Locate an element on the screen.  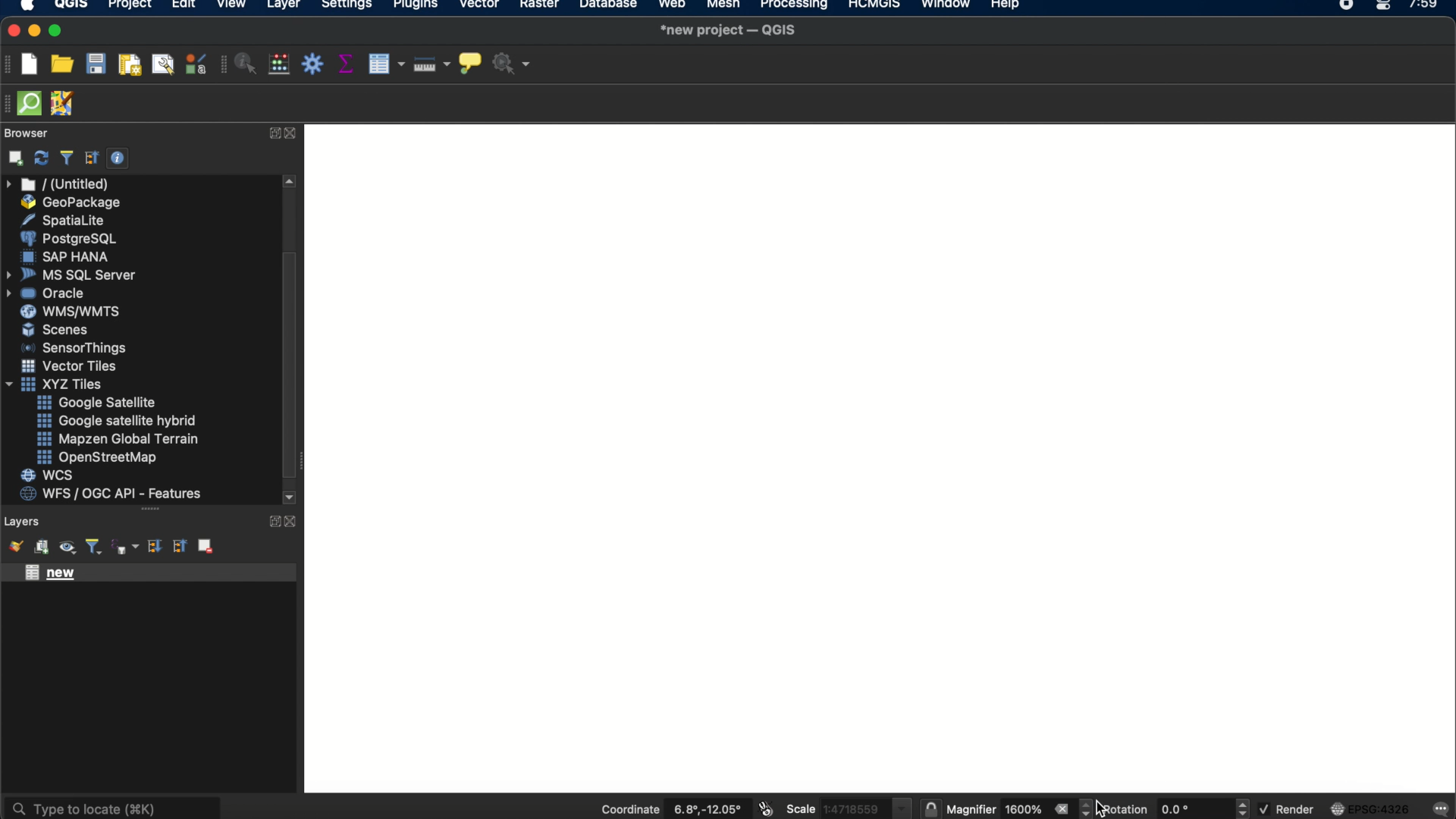
manage map themes is located at coordinates (66, 549).